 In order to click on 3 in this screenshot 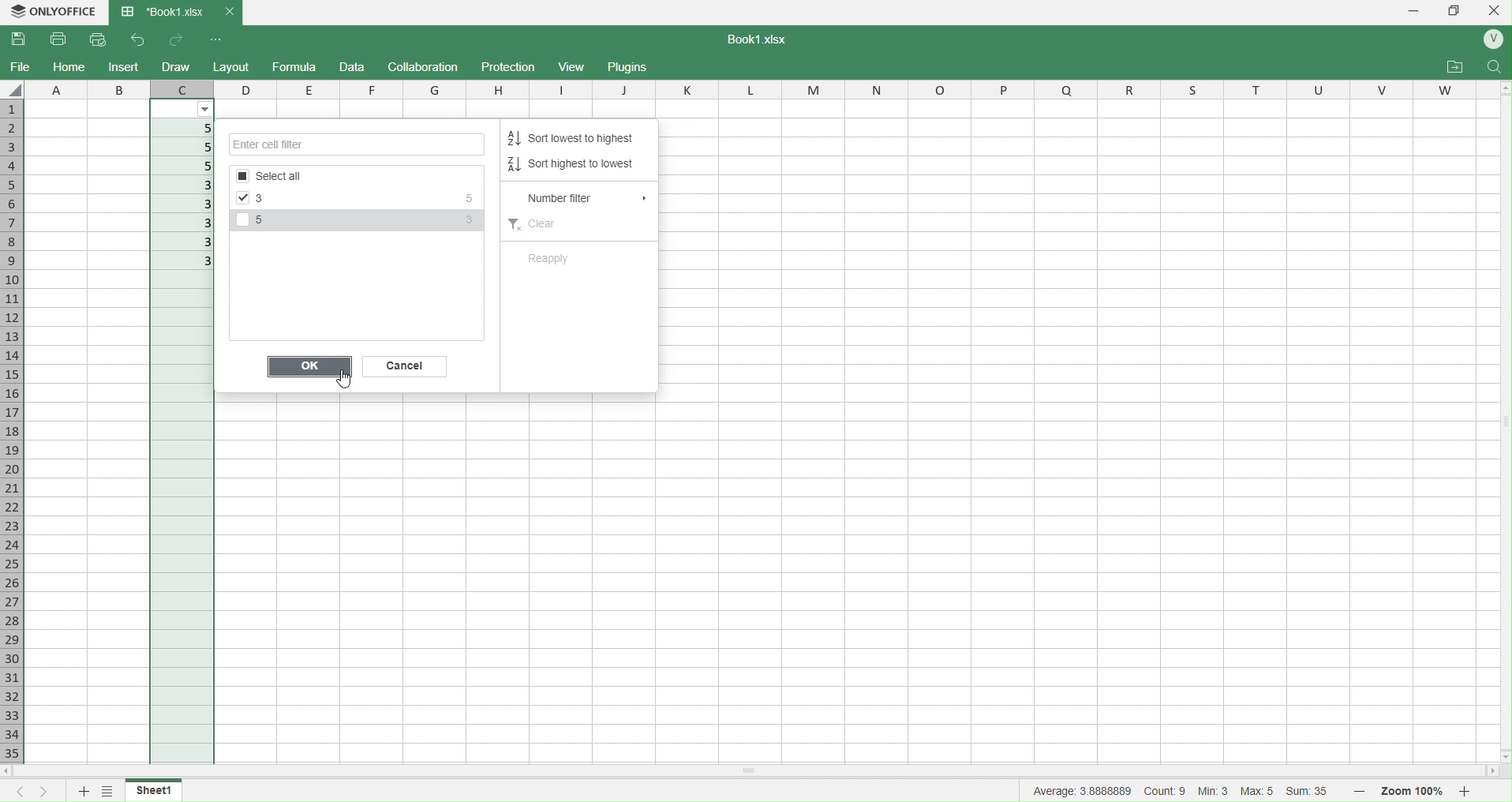, I will do `click(186, 186)`.